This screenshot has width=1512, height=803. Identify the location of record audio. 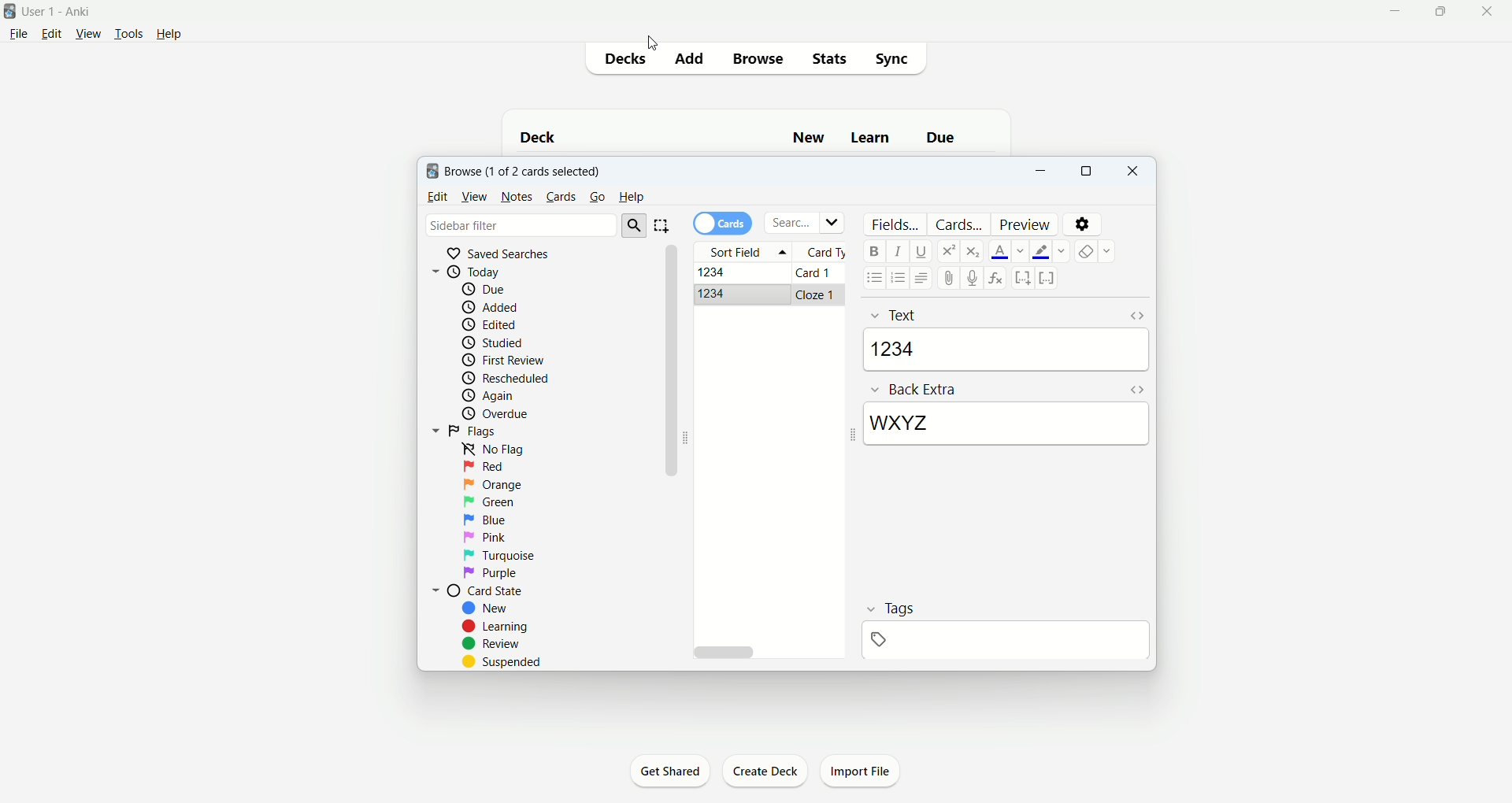
(973, 279).